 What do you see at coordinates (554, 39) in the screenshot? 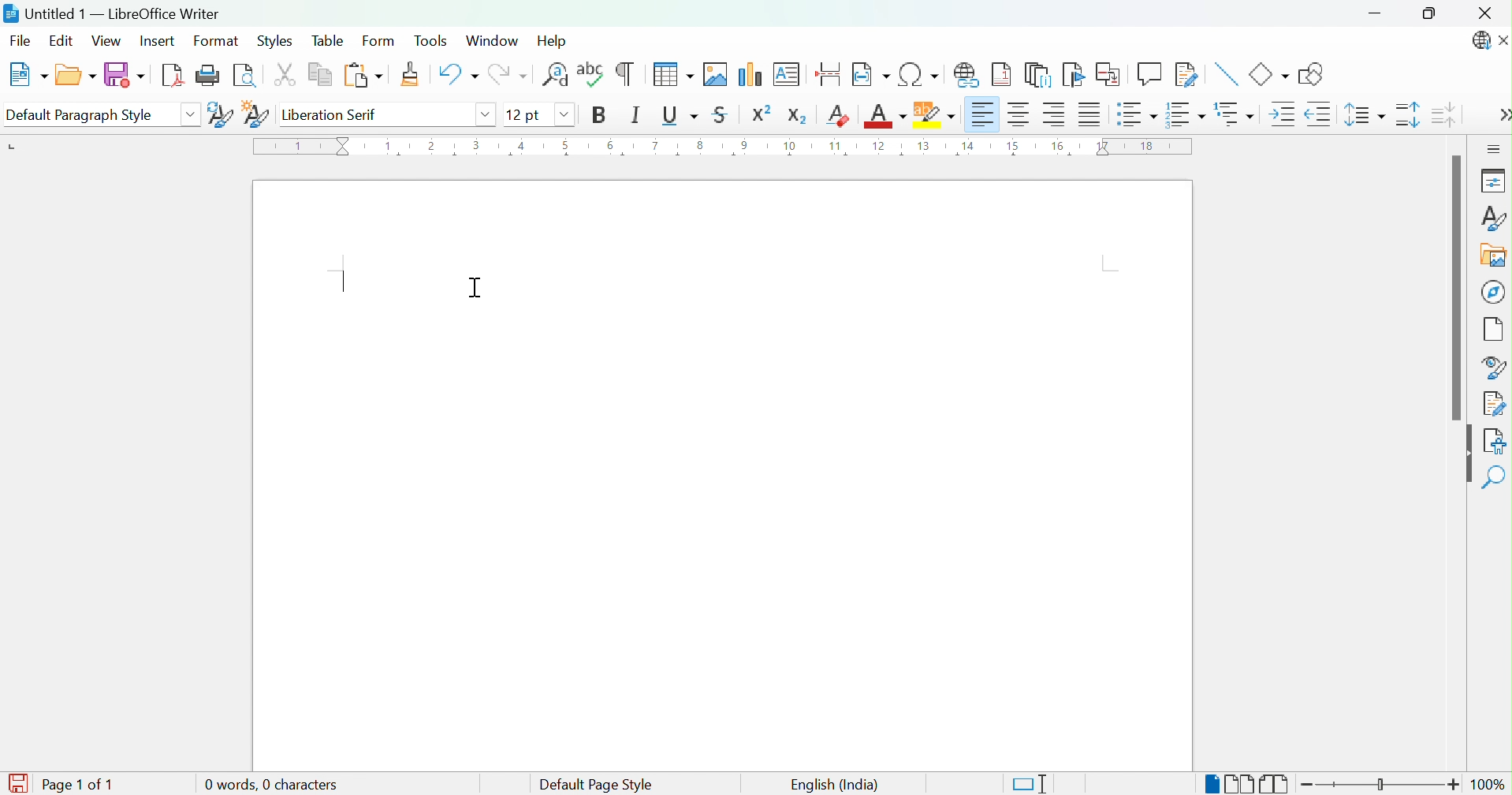
I see `Help` at bounding box center [554, 39].